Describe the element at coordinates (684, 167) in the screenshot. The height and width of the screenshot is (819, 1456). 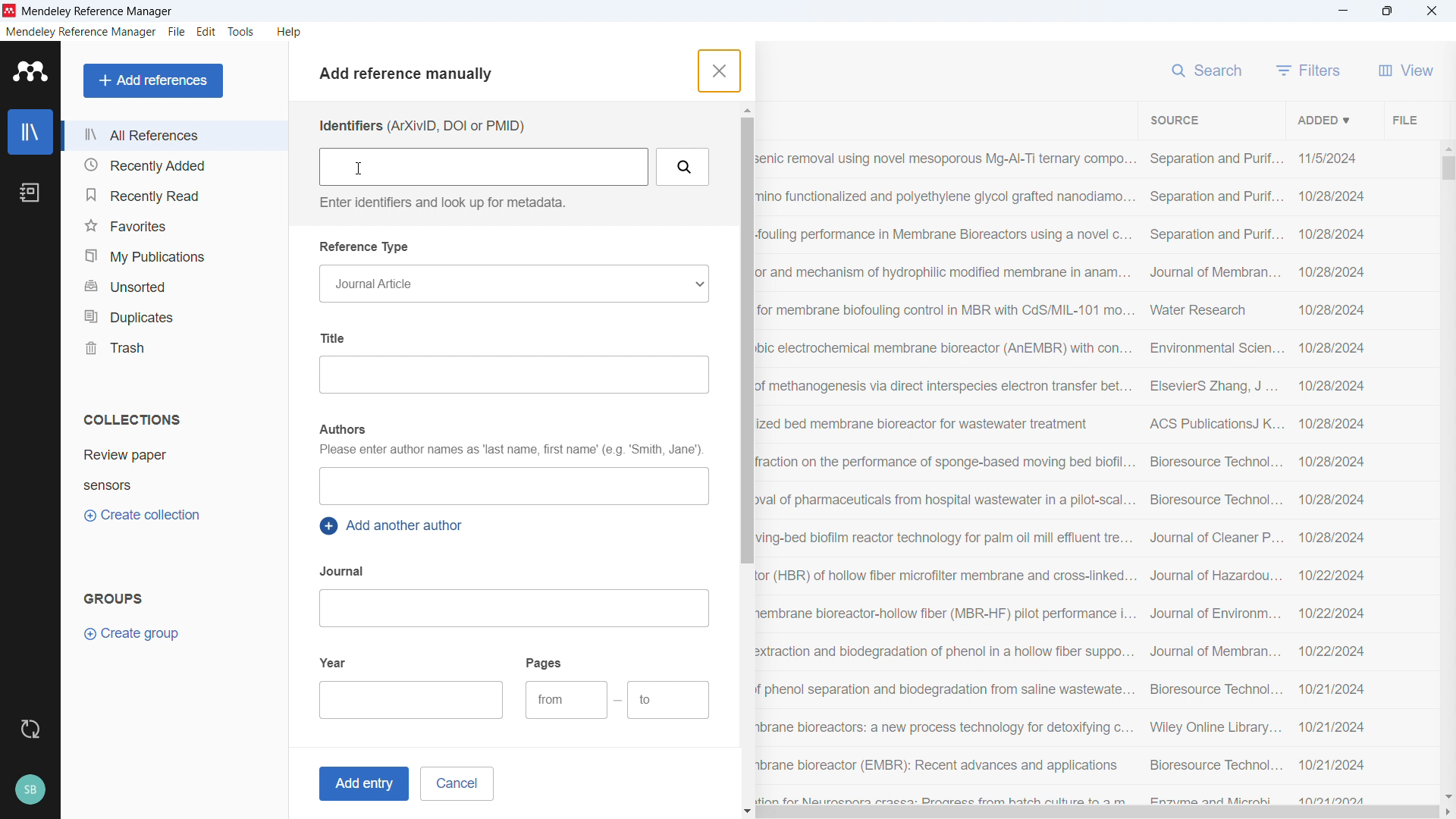
I see `Search by Identifiers ` at that location.